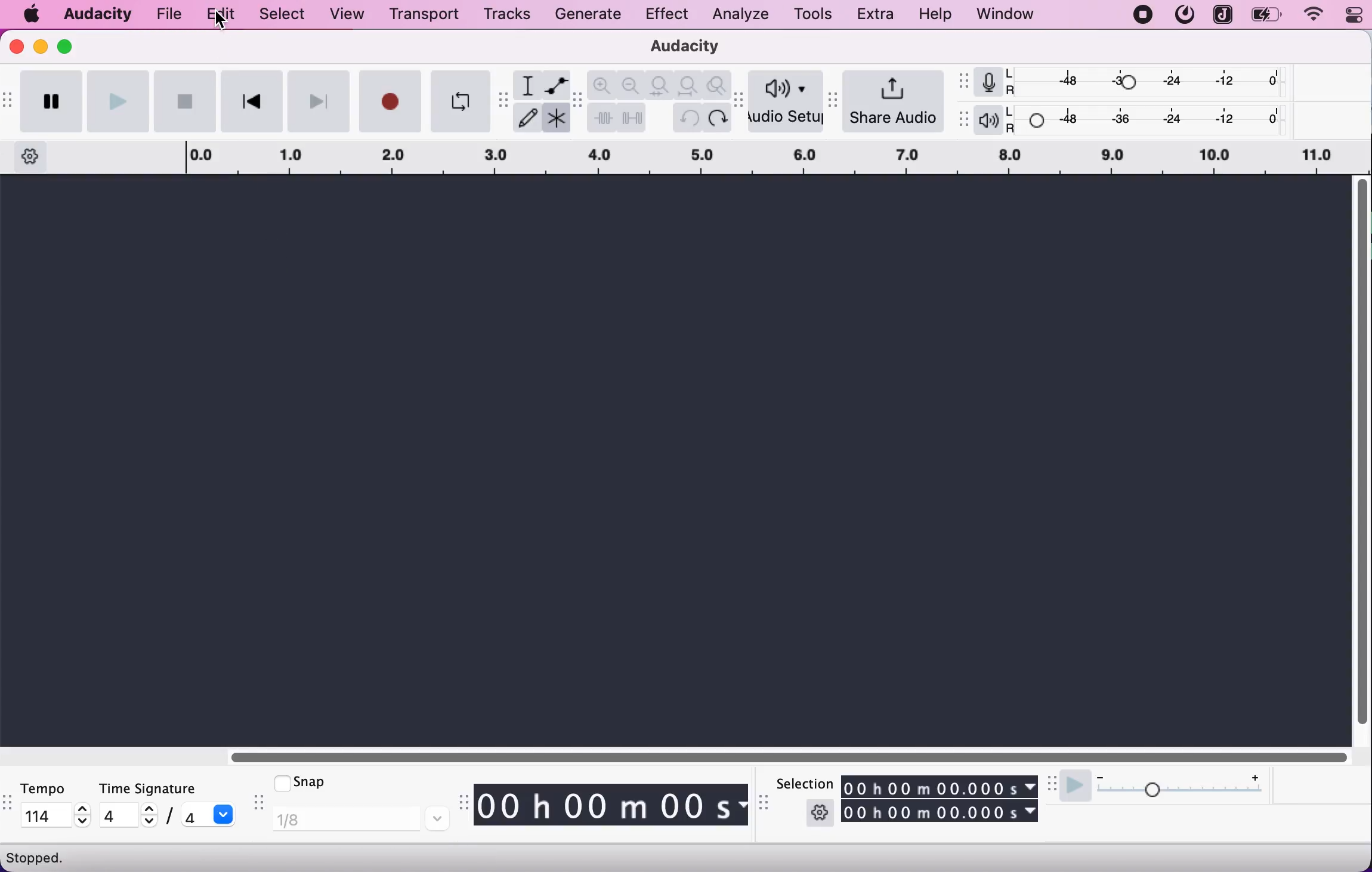  Describe the element at coordinates (799, 756) in the screenshot. I see `horizontal slider` at that location.